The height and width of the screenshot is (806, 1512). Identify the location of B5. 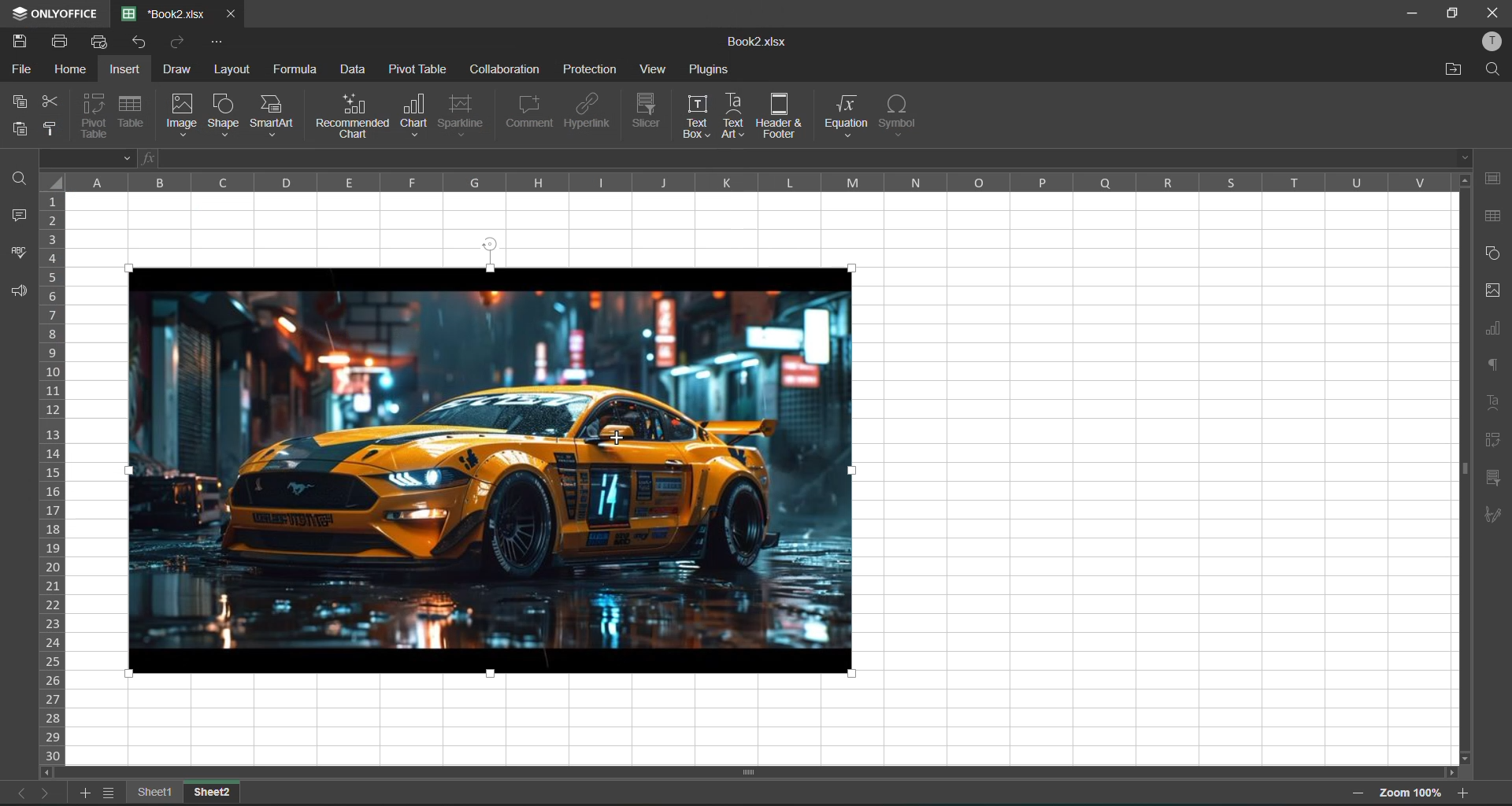
(83, 158).